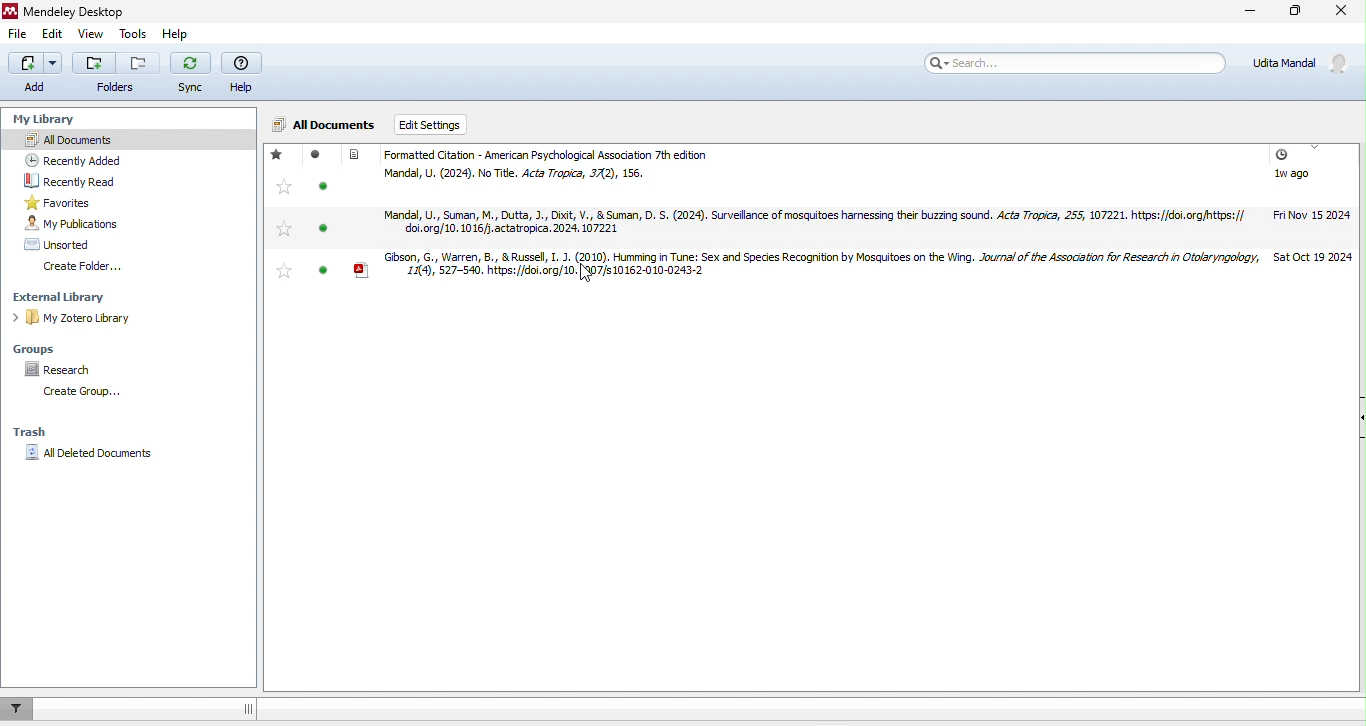  What do you see at coordinates (88, 224) in the screenshot?
I see `my publications` at bounding box center [88, 224].